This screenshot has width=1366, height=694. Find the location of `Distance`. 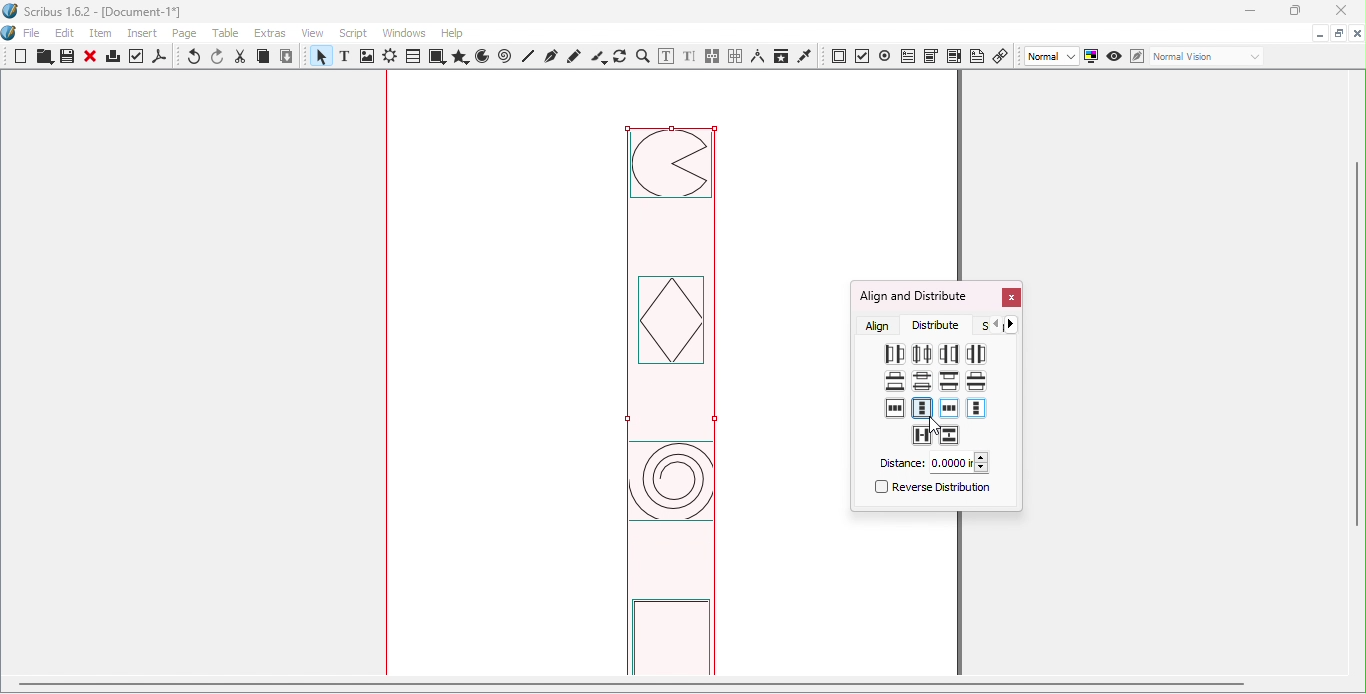

Distance is located at coordinates (932, 463).